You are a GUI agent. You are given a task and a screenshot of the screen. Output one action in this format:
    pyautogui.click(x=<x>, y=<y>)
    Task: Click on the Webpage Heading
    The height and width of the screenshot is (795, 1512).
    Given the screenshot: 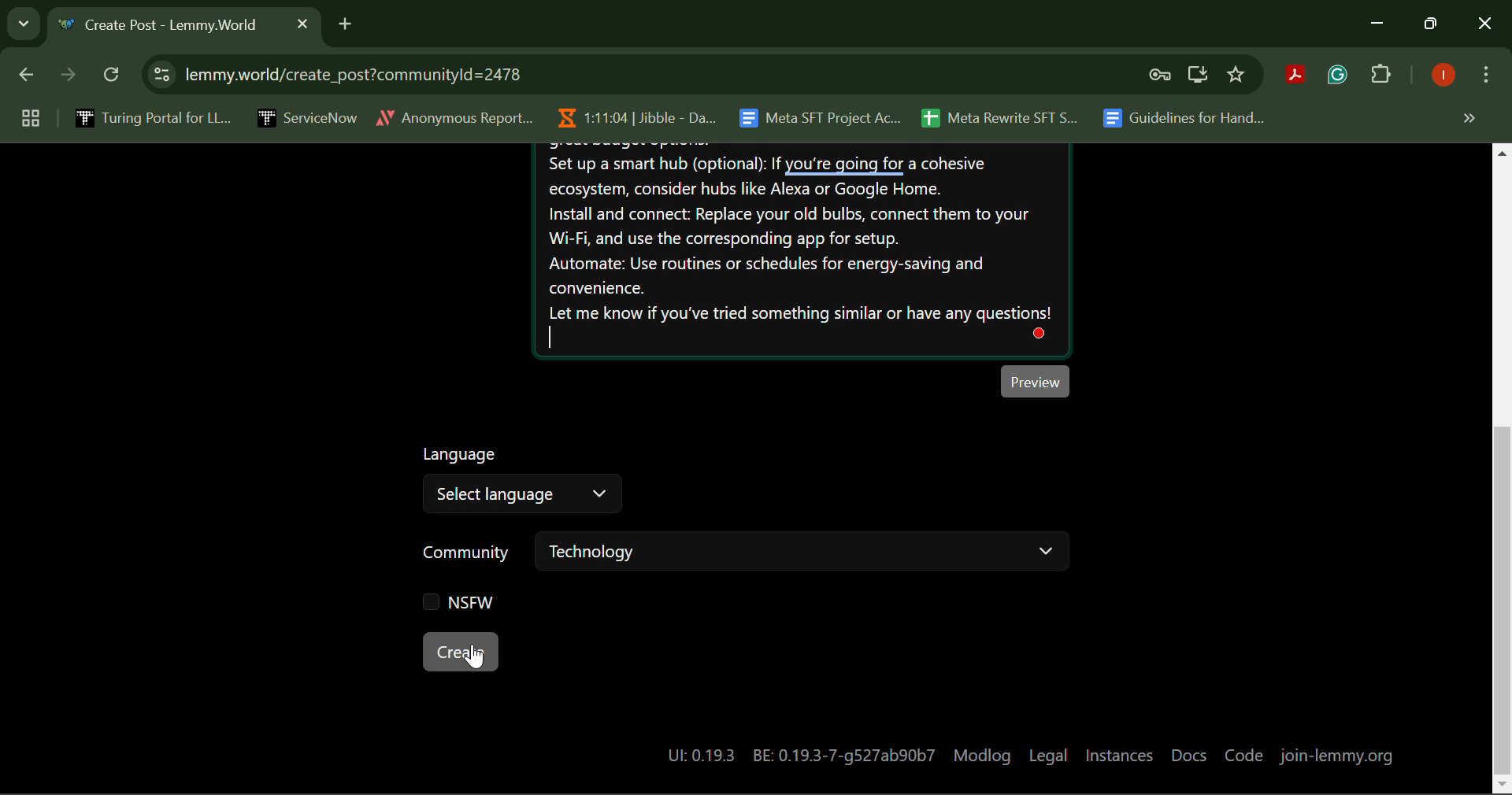 What is the action you would take?
    pyautogui.click(x=167, y=27)
    